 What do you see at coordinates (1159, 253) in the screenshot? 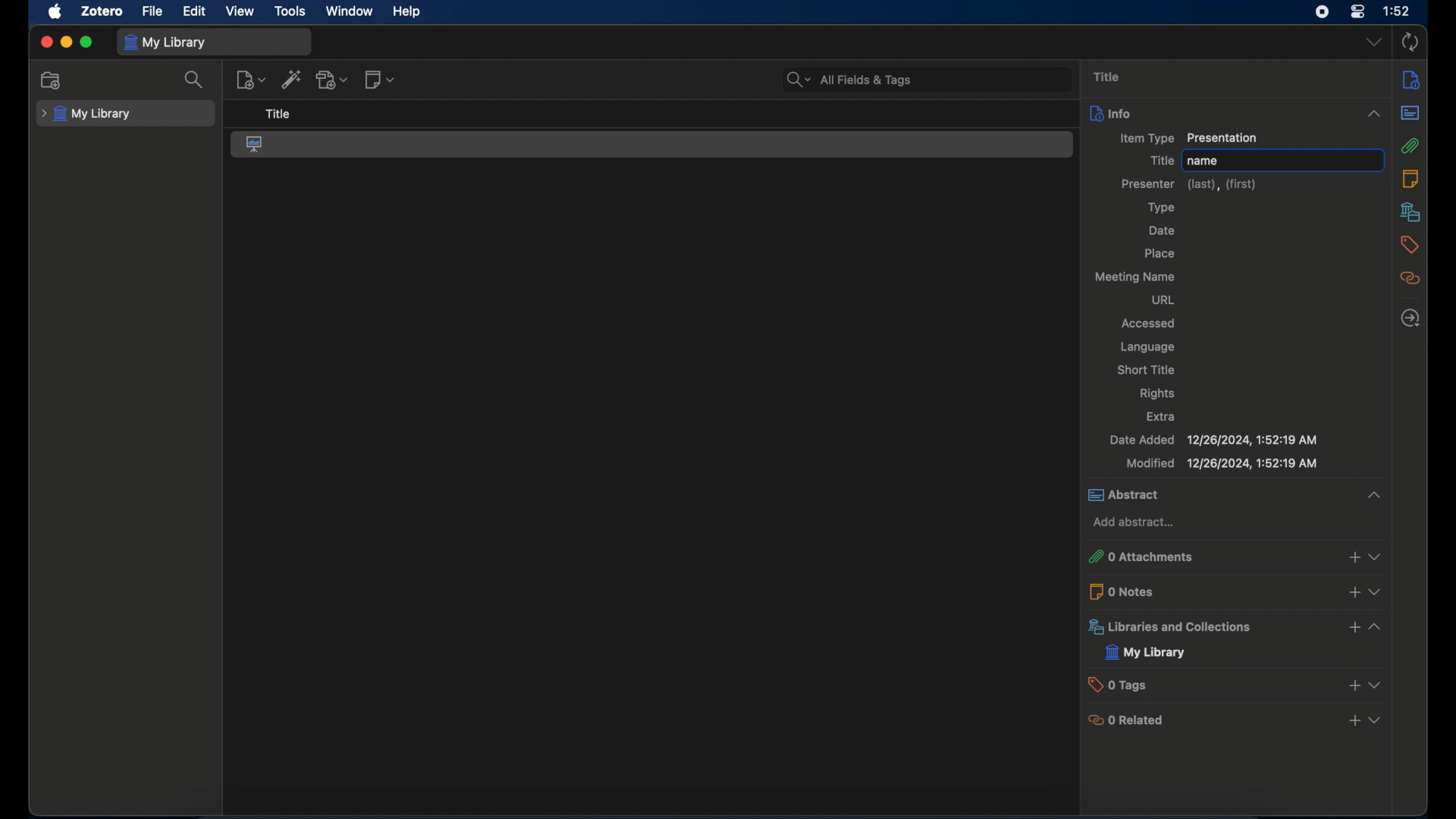
I see `place` at bounding box center [1159, 253].